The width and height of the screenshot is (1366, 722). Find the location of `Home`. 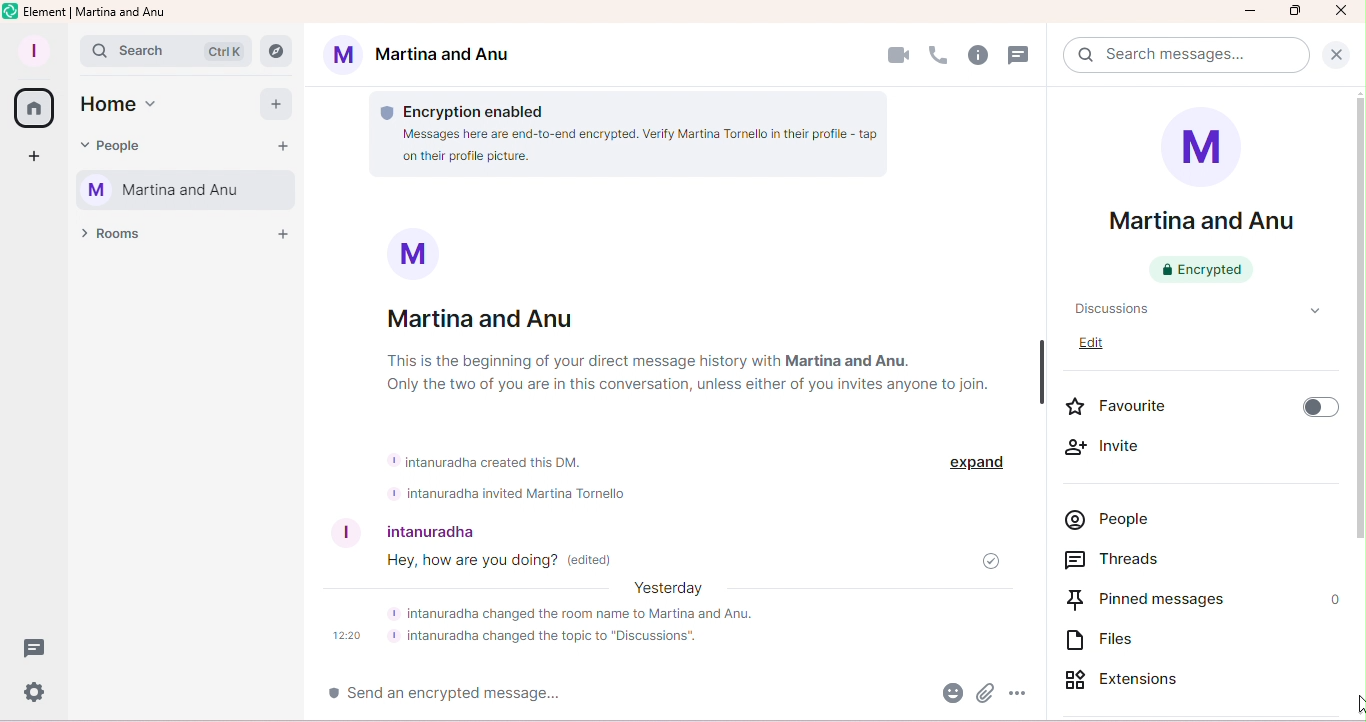

Home is located at coordinates (33, 109).